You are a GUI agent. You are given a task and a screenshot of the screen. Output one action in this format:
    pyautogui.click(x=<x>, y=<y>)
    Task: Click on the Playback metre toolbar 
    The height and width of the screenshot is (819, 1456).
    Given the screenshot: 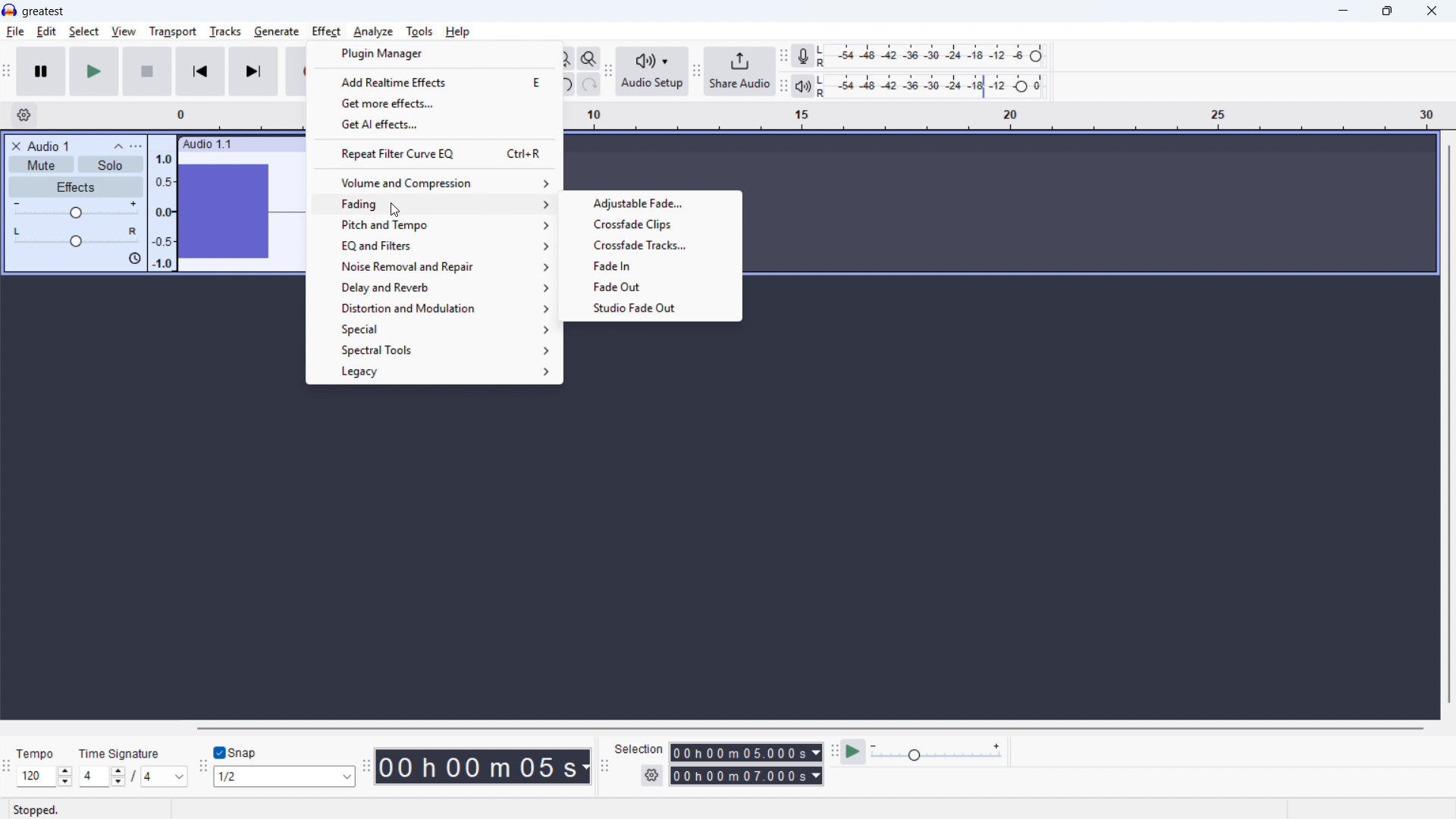 What is the action you would take?
    pyautogui.click(x=783, y=87)
    